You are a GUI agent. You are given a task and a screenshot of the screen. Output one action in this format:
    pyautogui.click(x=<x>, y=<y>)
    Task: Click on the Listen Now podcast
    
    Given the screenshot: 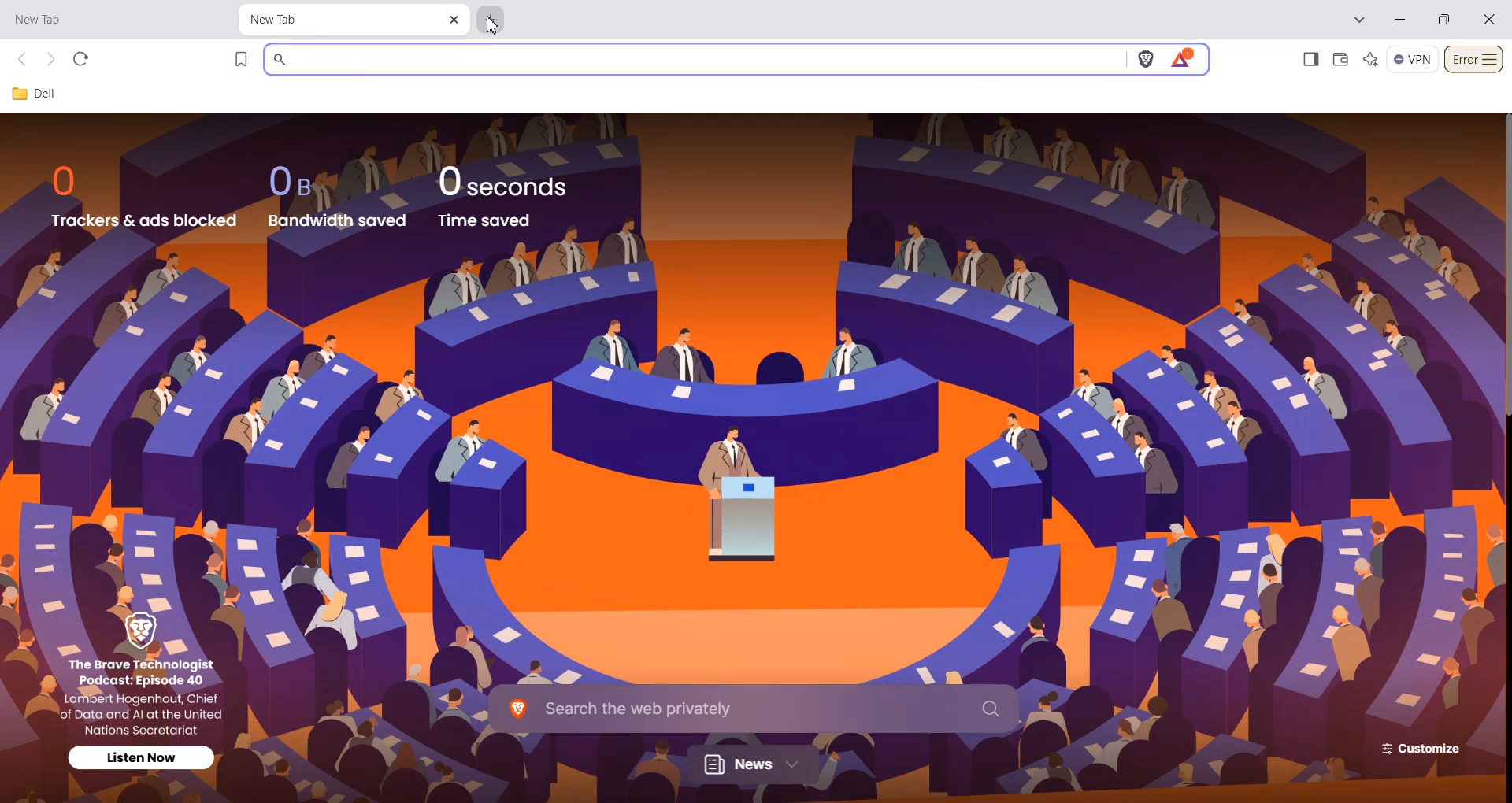 What is the action you would take?
    pyautogui.click(x=143, y=757)
    